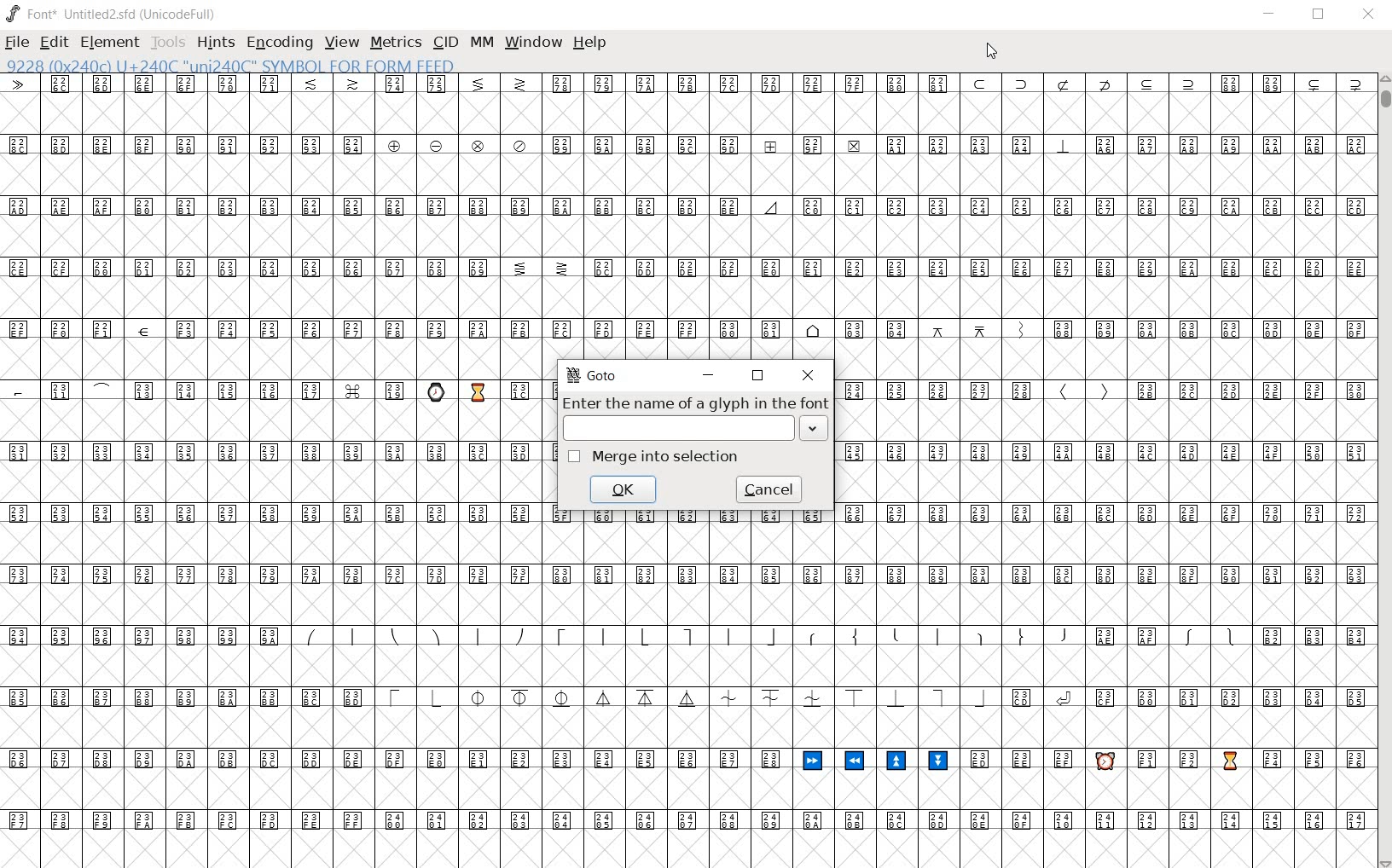 The image size is (1392, 868). What do you see at coordinates (1320, 14) in the screenshot?
I see `restore` at bounding box center [1320, 14].